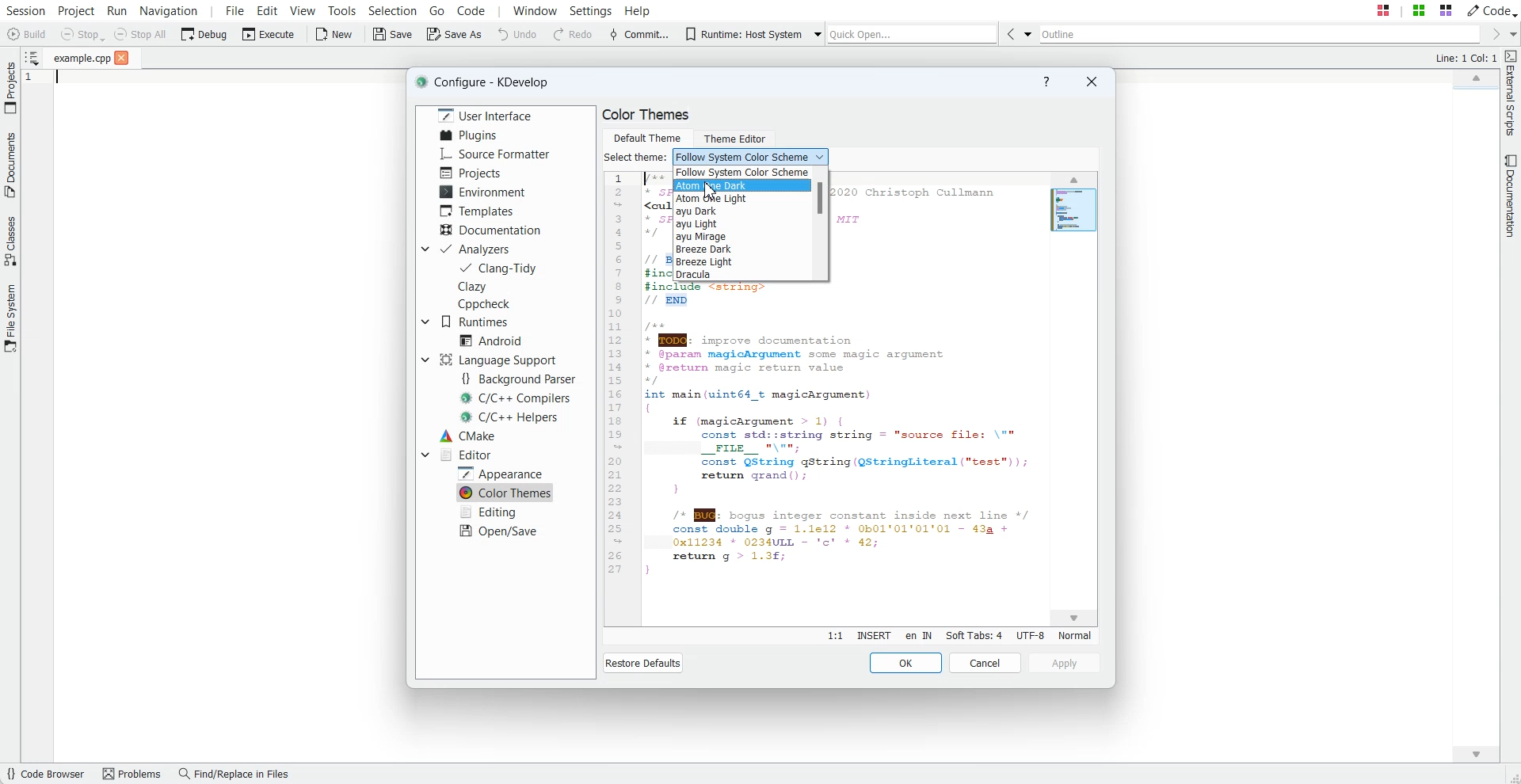 This screenshot has width=1521, height=784. I want to click on Close, so click(1091, 81).